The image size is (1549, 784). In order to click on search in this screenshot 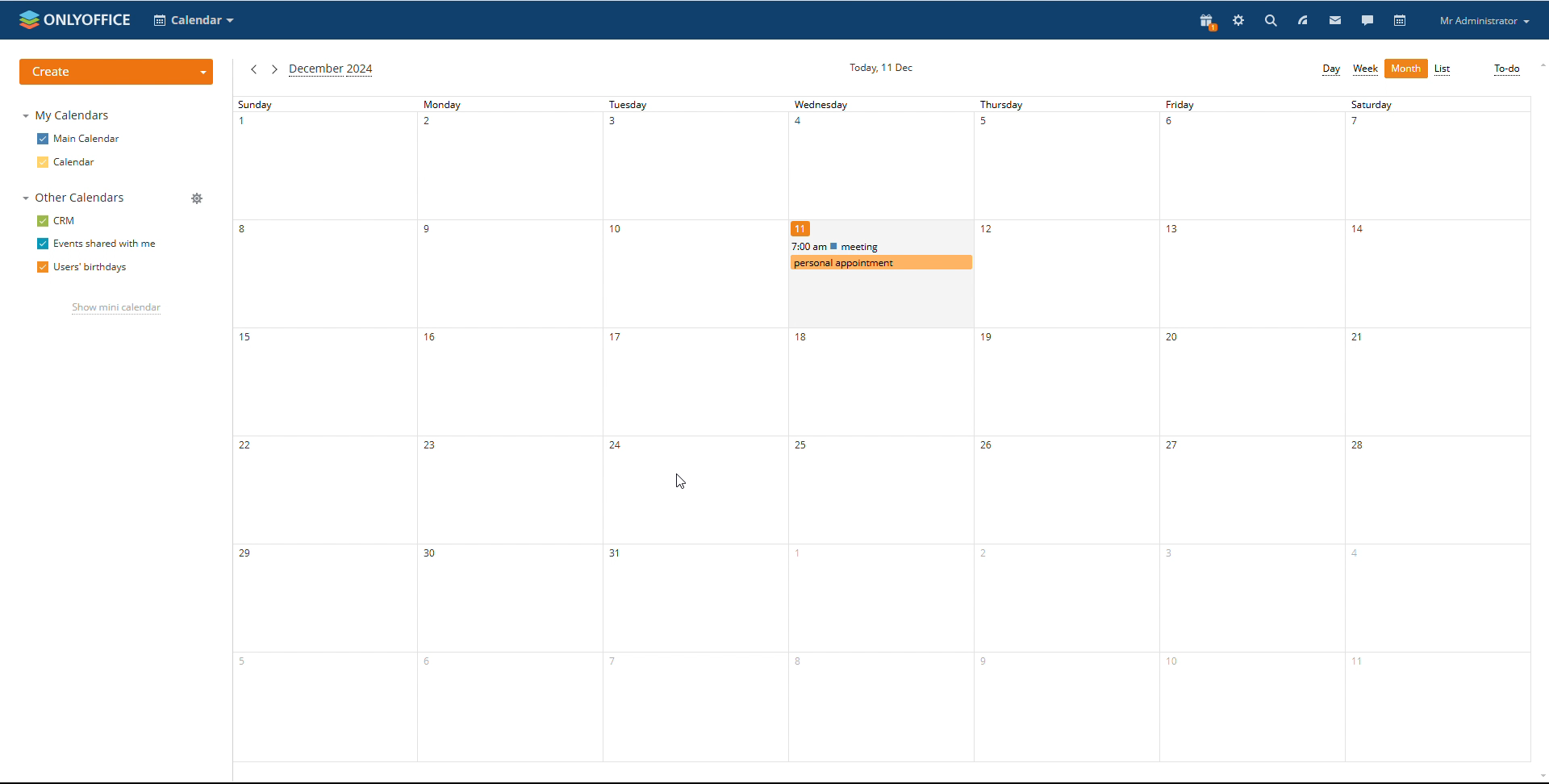, I will do `click(1273, 20)`.